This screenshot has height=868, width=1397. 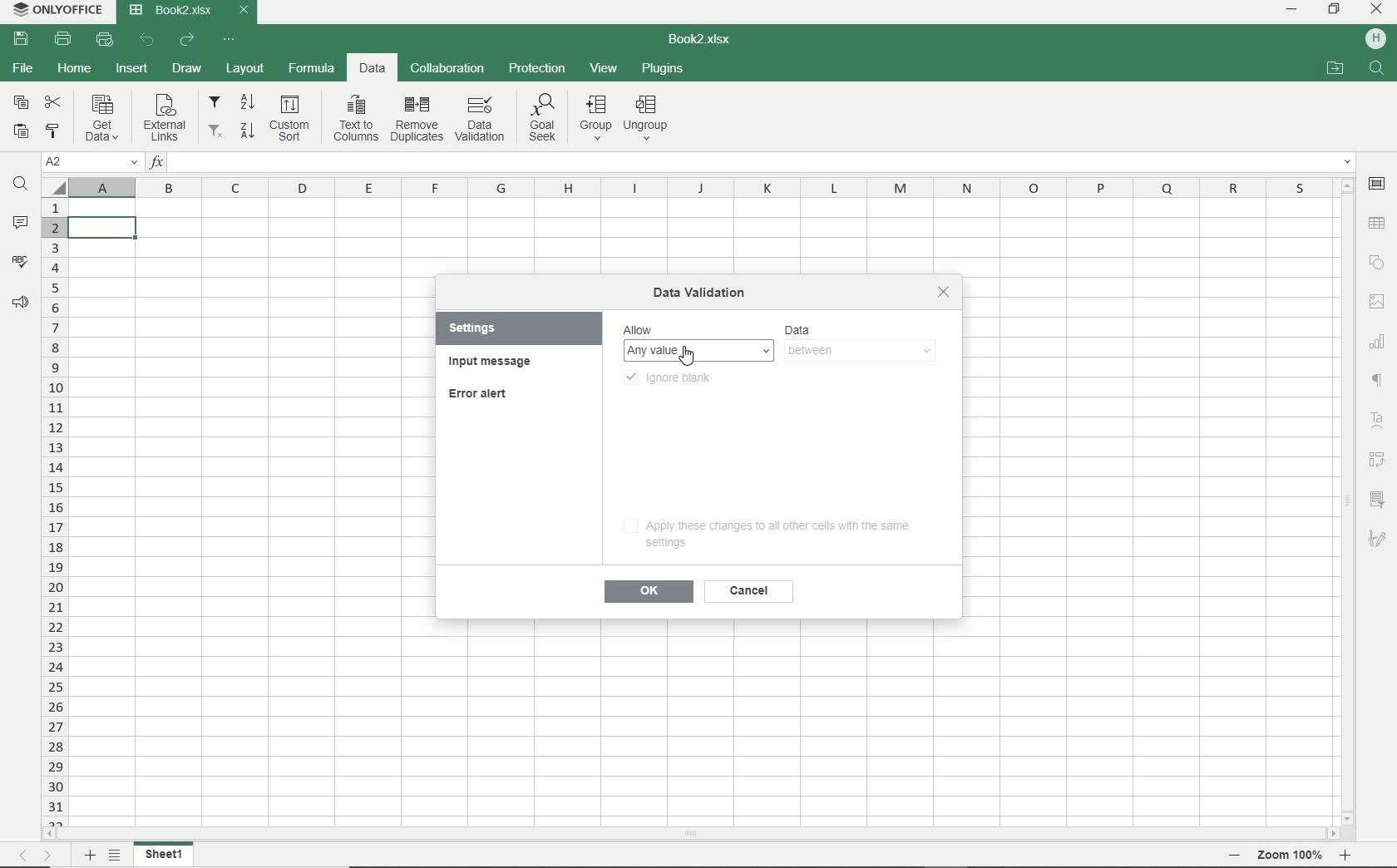 What do you see at coordinates (486, 328) in the screenshot?
I see `settings` at bounding box center [486, 328].